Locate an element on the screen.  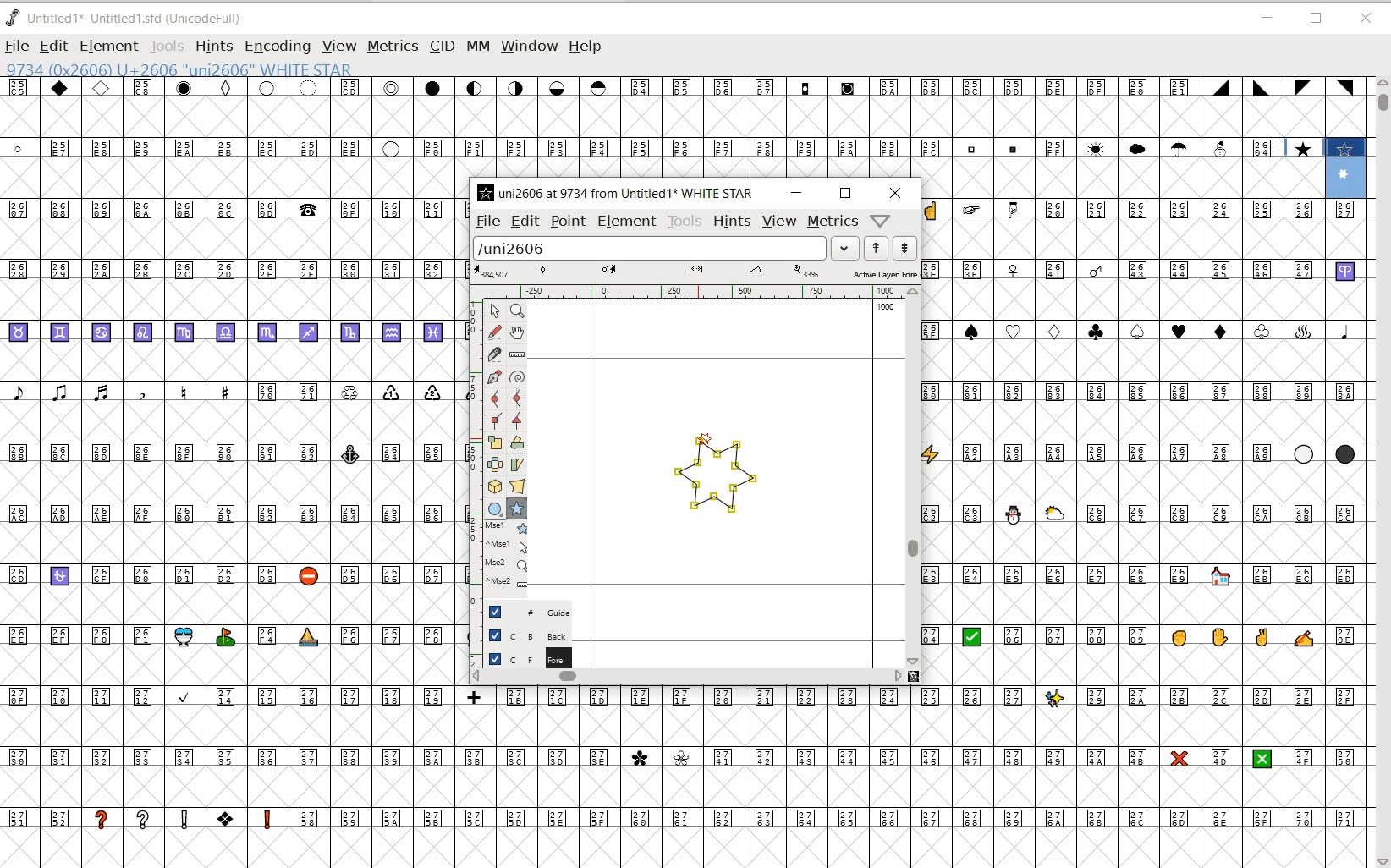
SCROLLBAR is located at coordinates (694, 678).